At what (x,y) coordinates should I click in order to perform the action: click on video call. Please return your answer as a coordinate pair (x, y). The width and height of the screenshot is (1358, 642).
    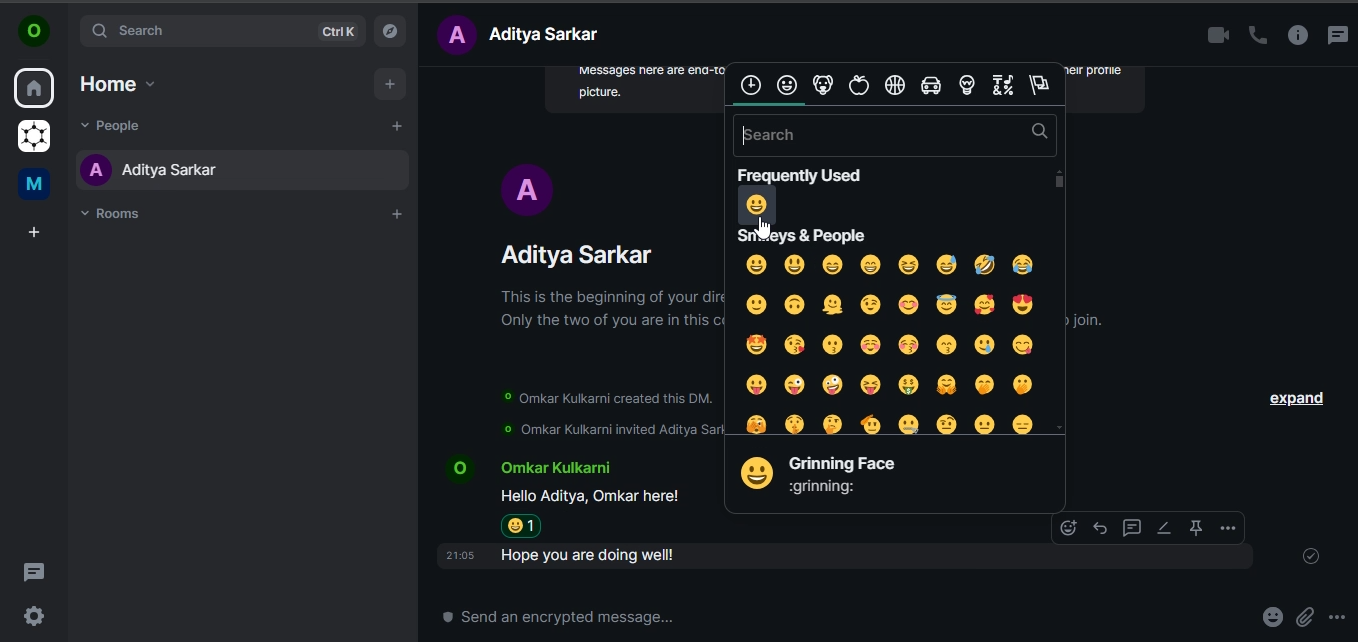
    Looking at the image, I should click on (1211, 36).